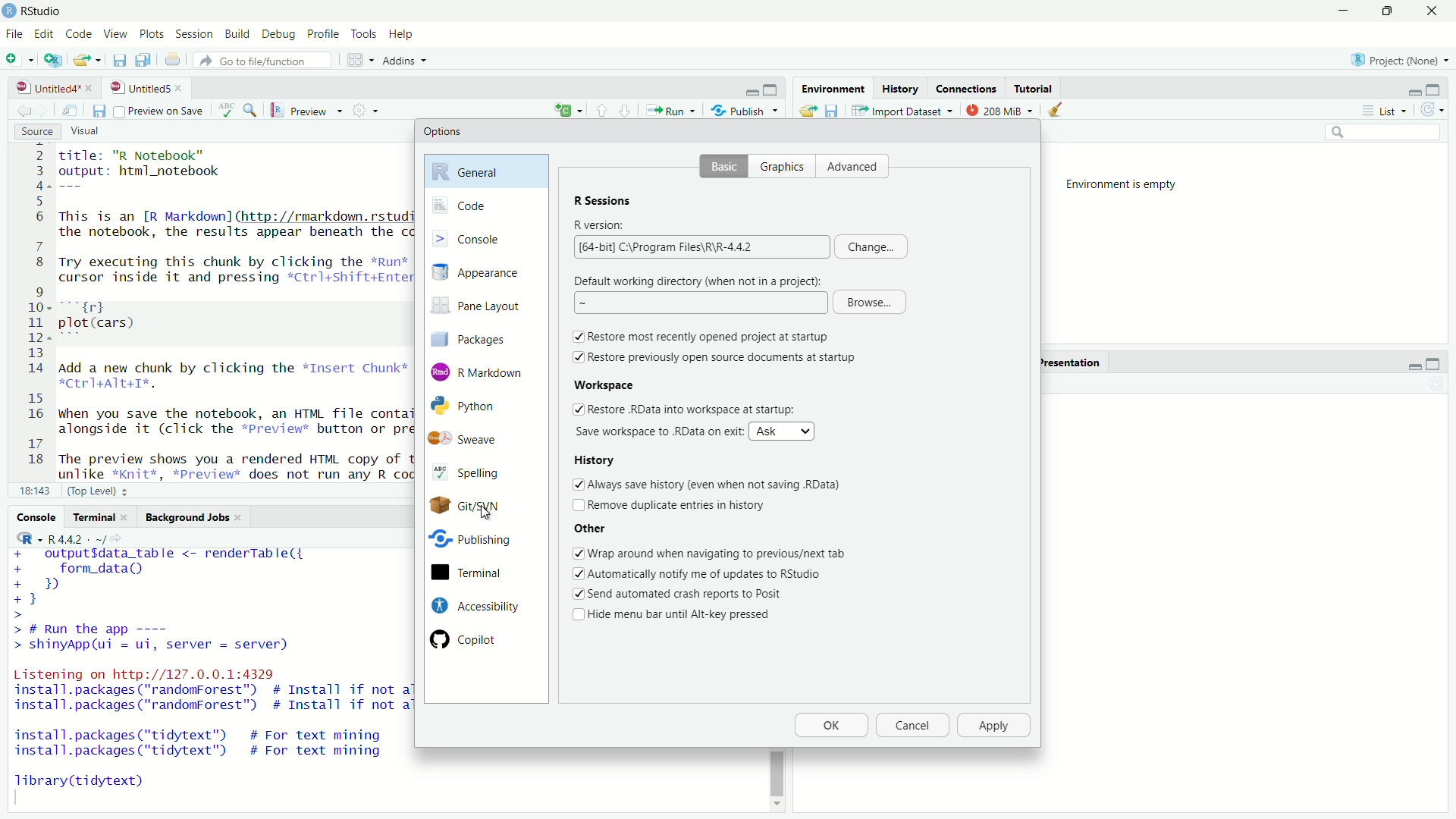 The height and width of the screenshot is (819, 1456). What do you see at coordinates (237, 110) in the screenshot?
I see `ABC` at bounding box center [237, 110].